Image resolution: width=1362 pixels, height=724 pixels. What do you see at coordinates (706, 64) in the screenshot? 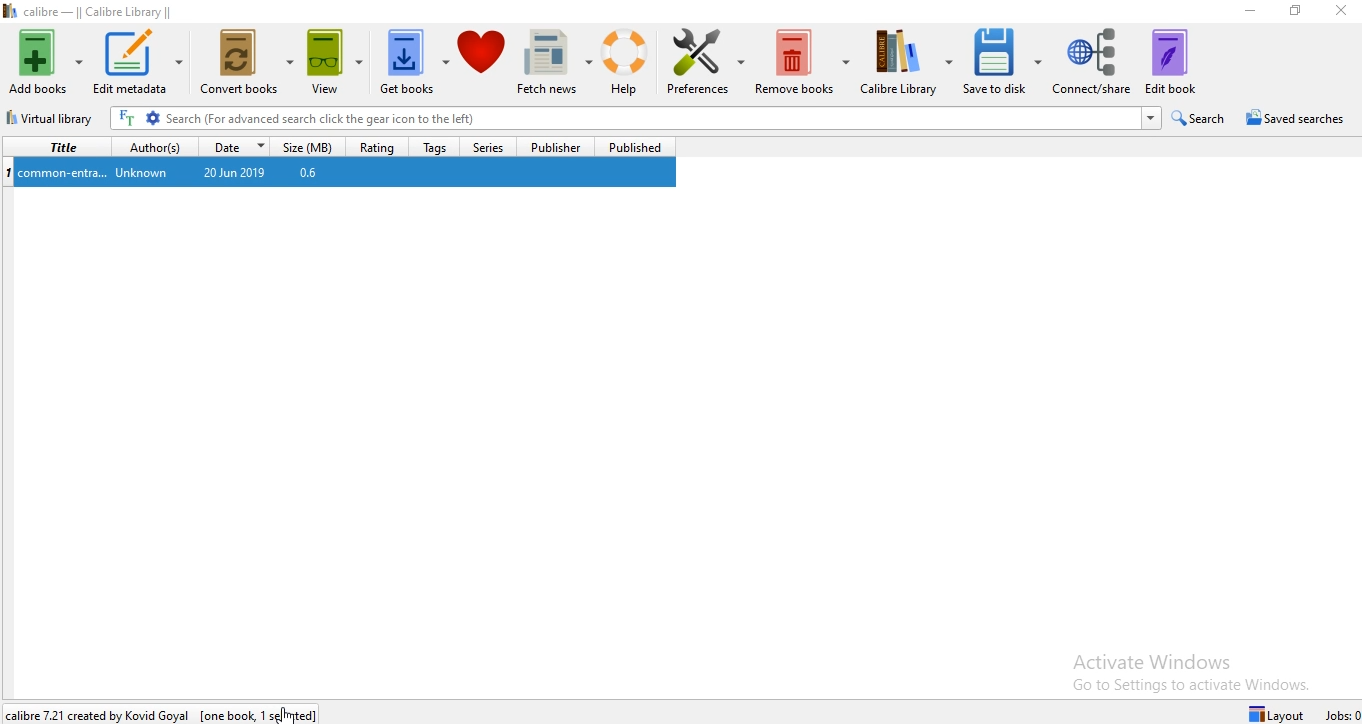
I see `Preferences` at bounding box center [706, 64].